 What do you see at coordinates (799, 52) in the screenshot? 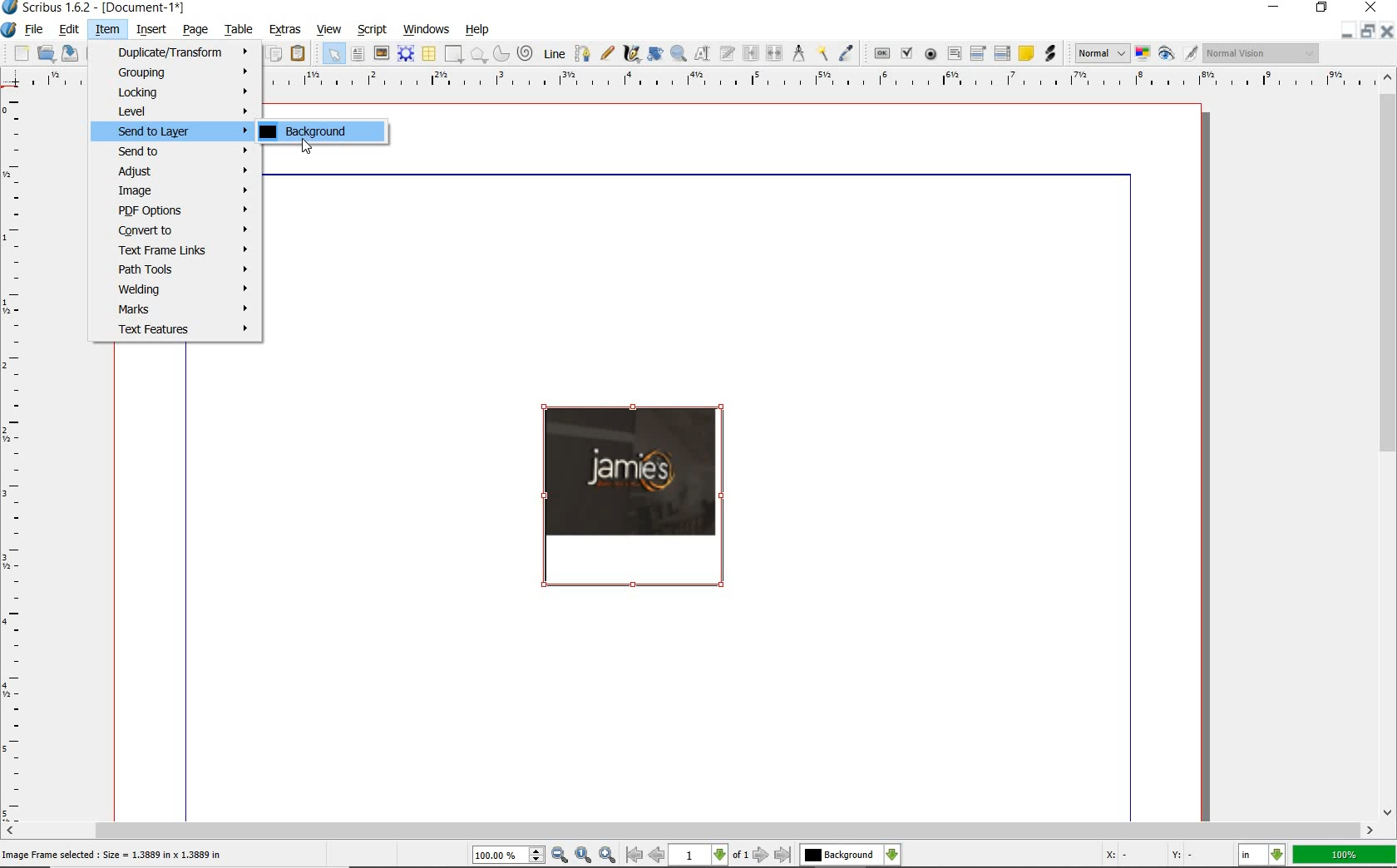
I see `measurements` at bounding box center [799, 52].